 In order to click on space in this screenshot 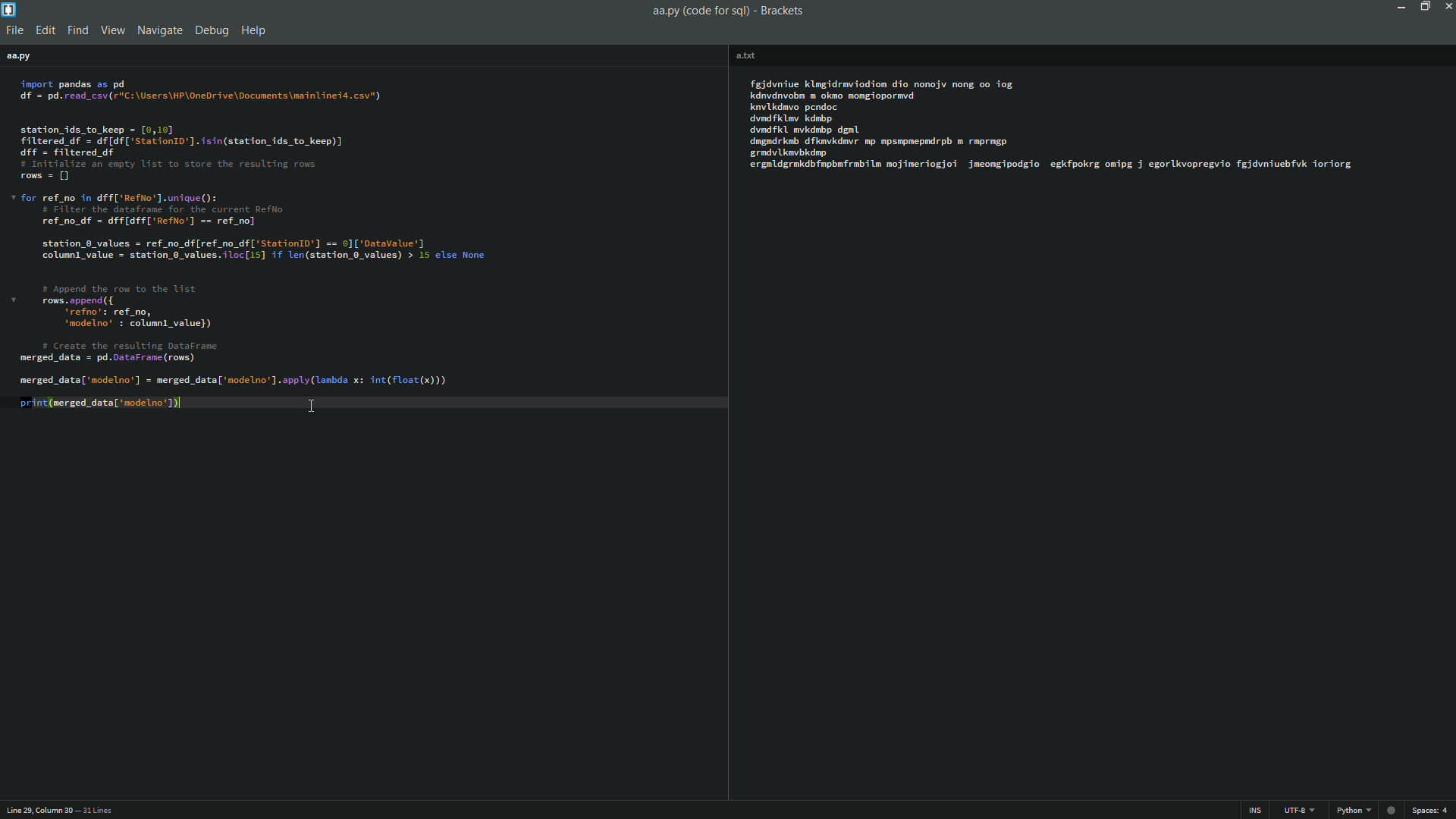, I will do `click(1432, 808)`.